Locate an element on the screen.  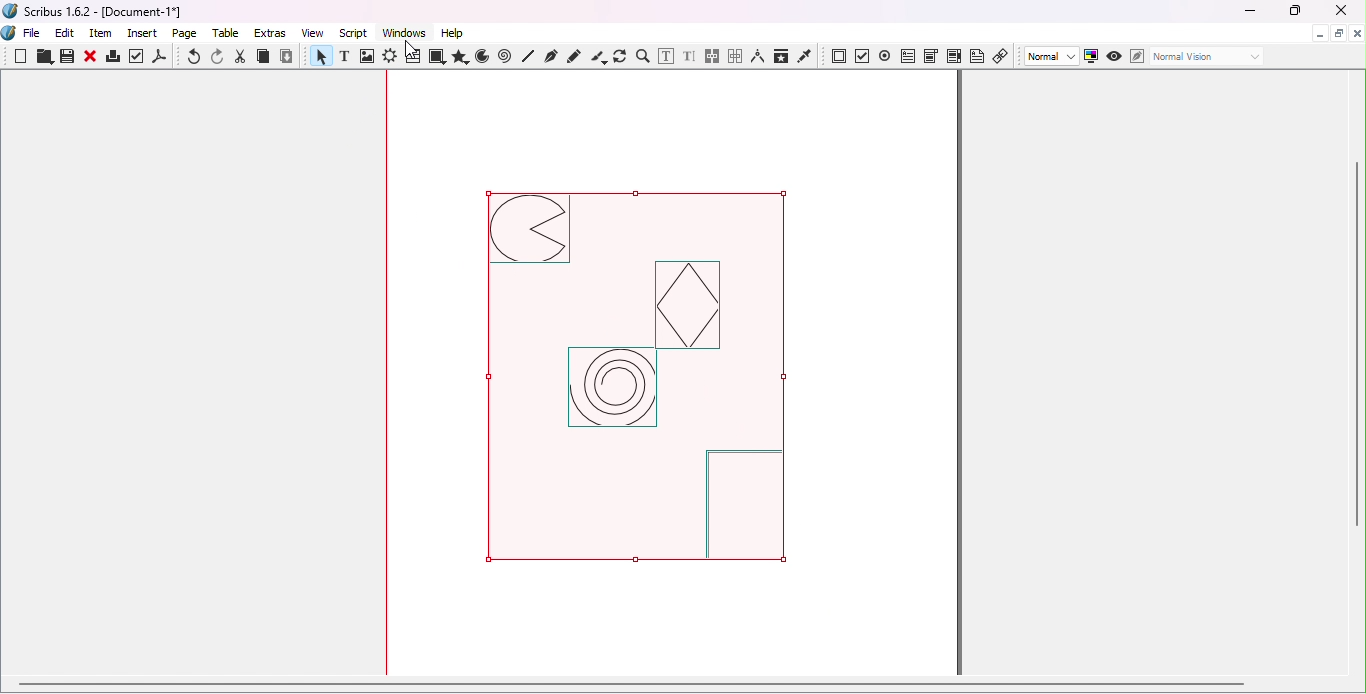
Preflight verifier is located at coordinates (137, 59).